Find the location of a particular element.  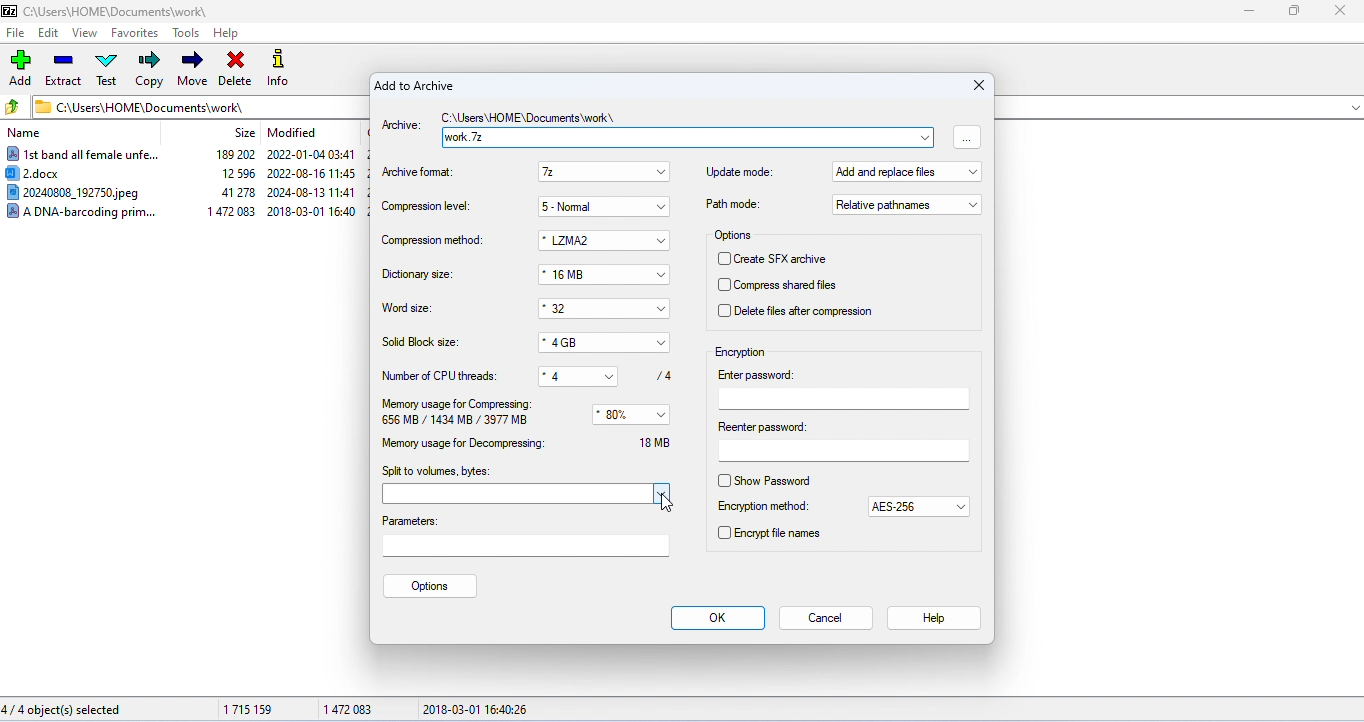

close is located at coordinates (974, 86).